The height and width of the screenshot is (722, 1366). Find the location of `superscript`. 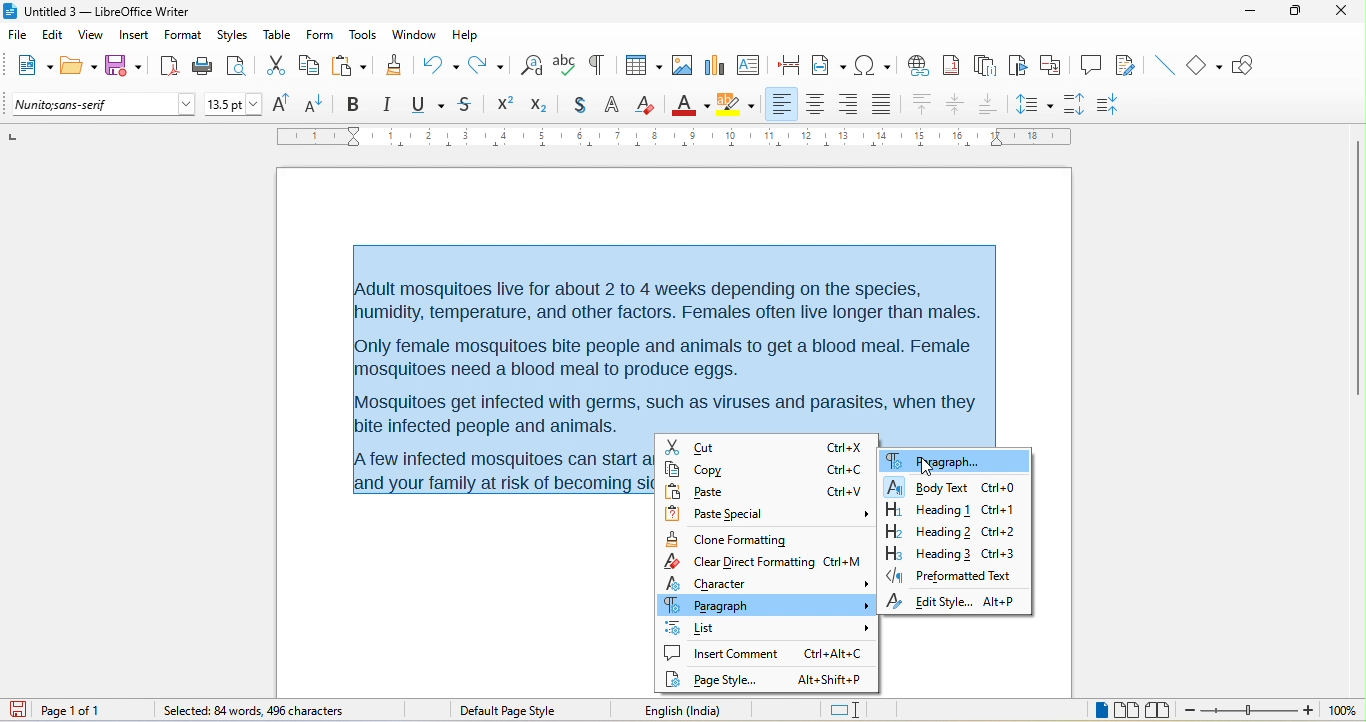

superscript is located at coordinates (505, 104).